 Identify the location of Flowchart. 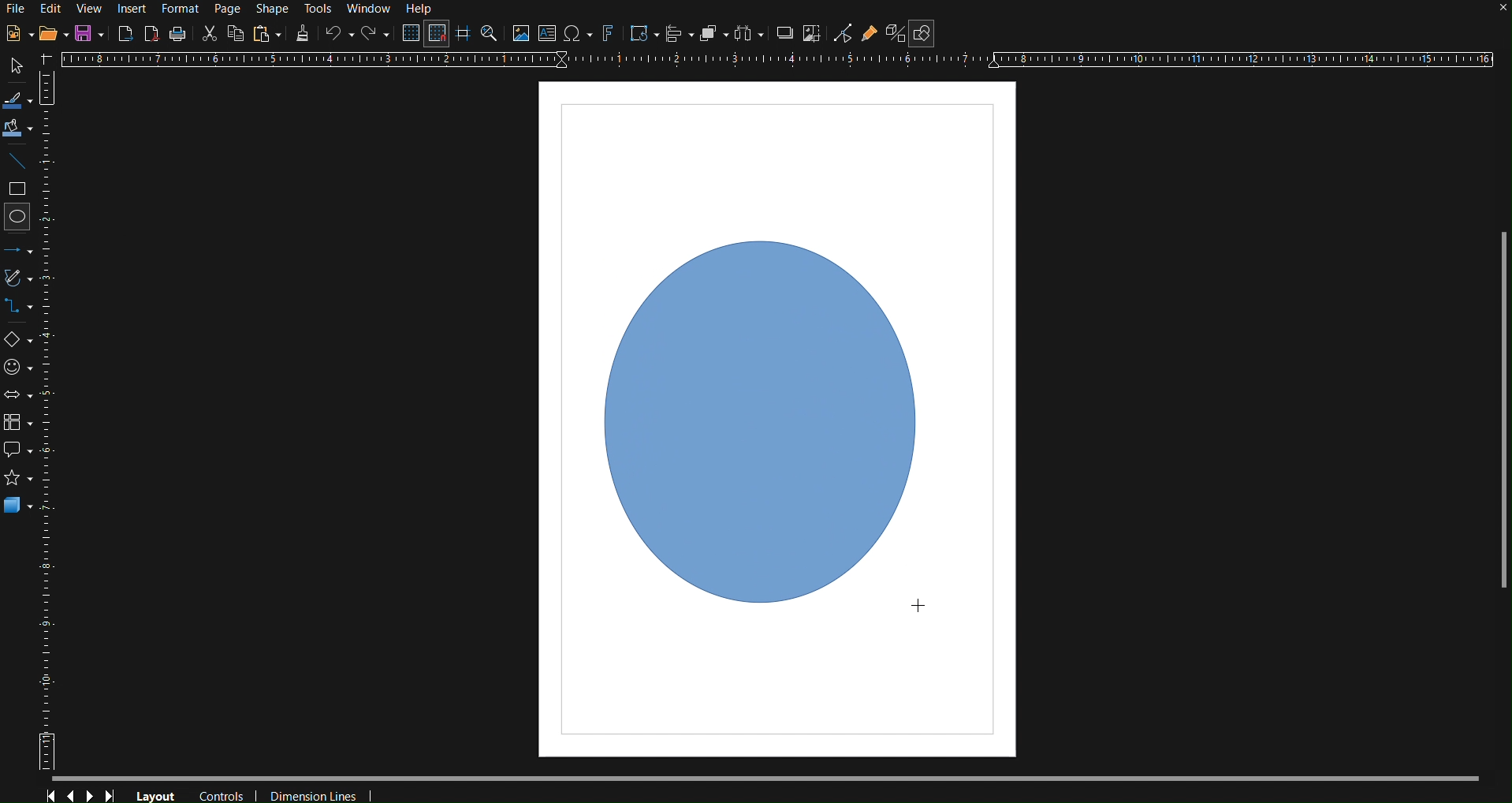
(22, 420).